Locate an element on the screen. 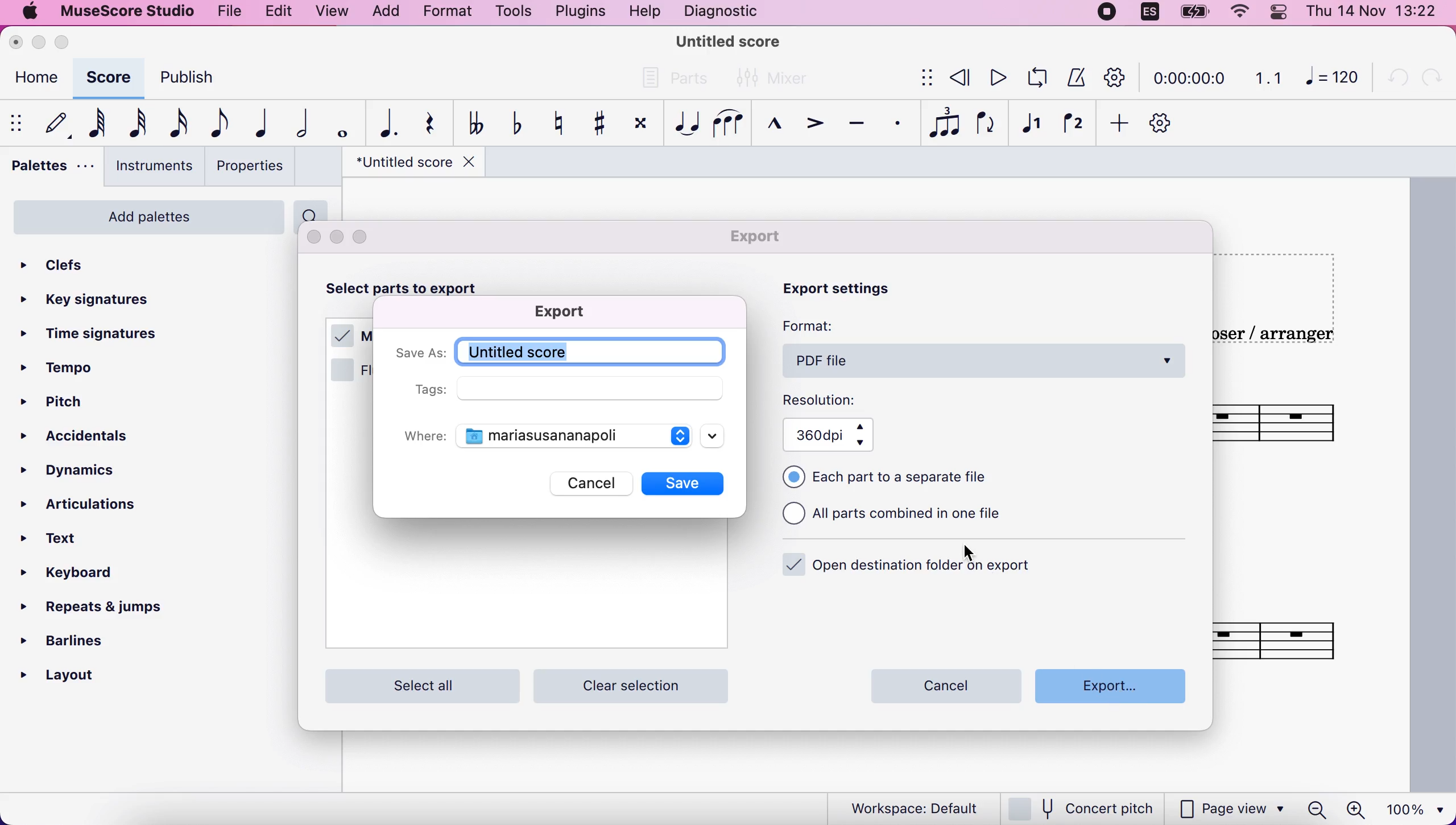 The width and height of the screenshot is (1456, 825). export is located at coordinates (556, 315).